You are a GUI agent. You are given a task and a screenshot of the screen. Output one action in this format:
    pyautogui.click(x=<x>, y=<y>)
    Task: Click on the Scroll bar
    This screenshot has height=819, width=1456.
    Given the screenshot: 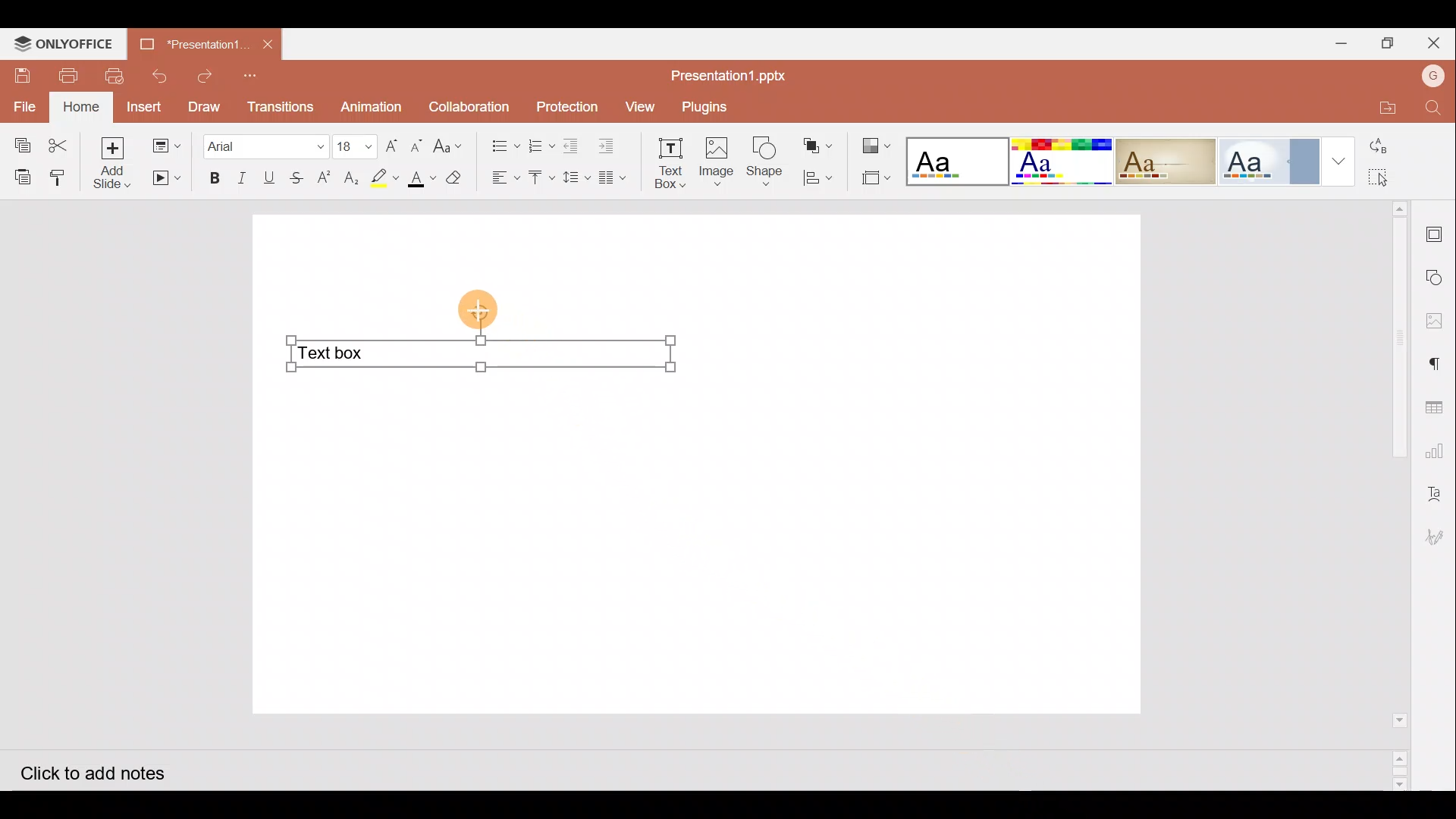 What is the action you would take?
    pyautogui.click(x=1394, y=495)
    